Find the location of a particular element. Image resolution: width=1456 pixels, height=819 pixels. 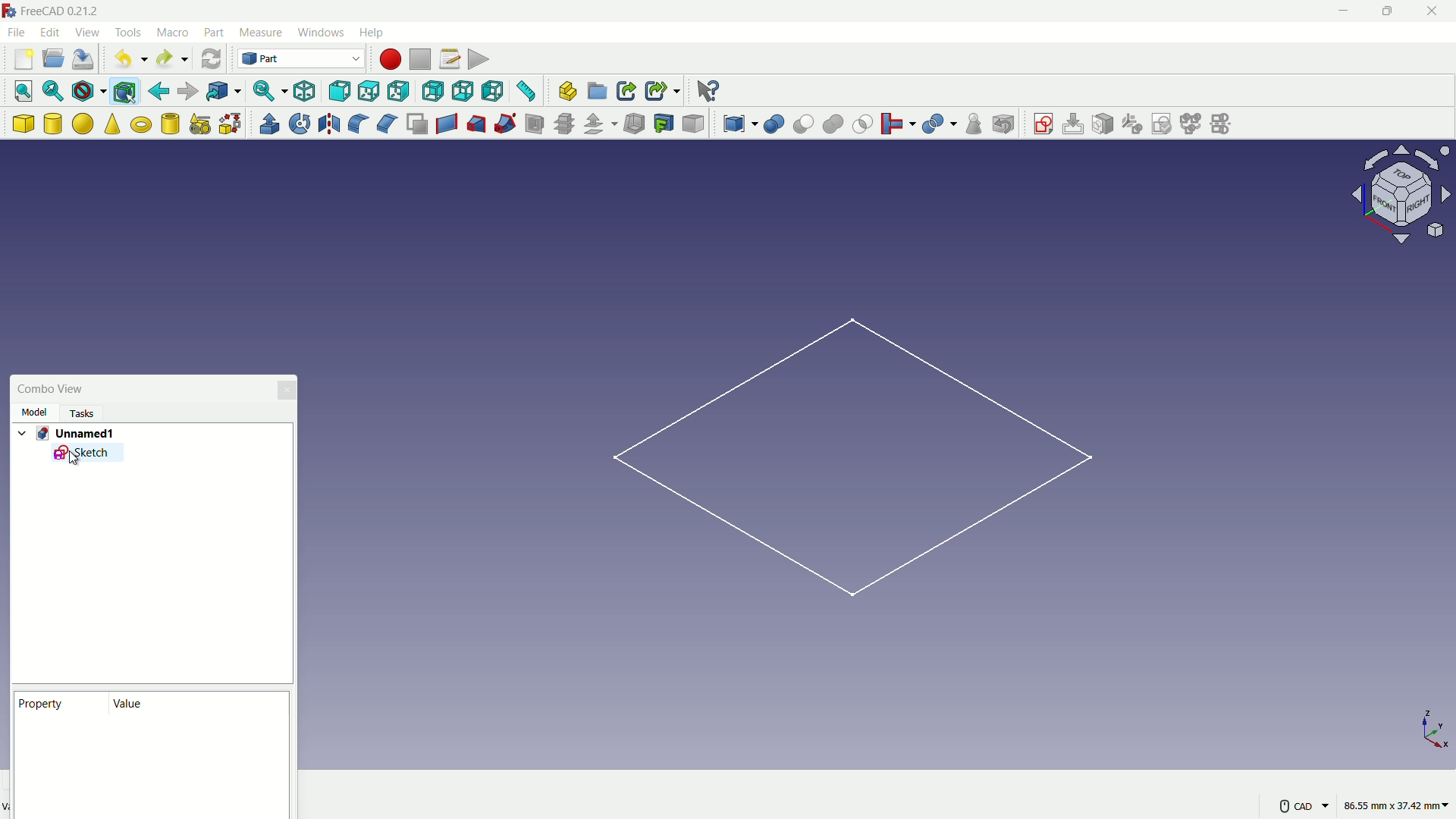

edit is located at coordinates (50, 33).